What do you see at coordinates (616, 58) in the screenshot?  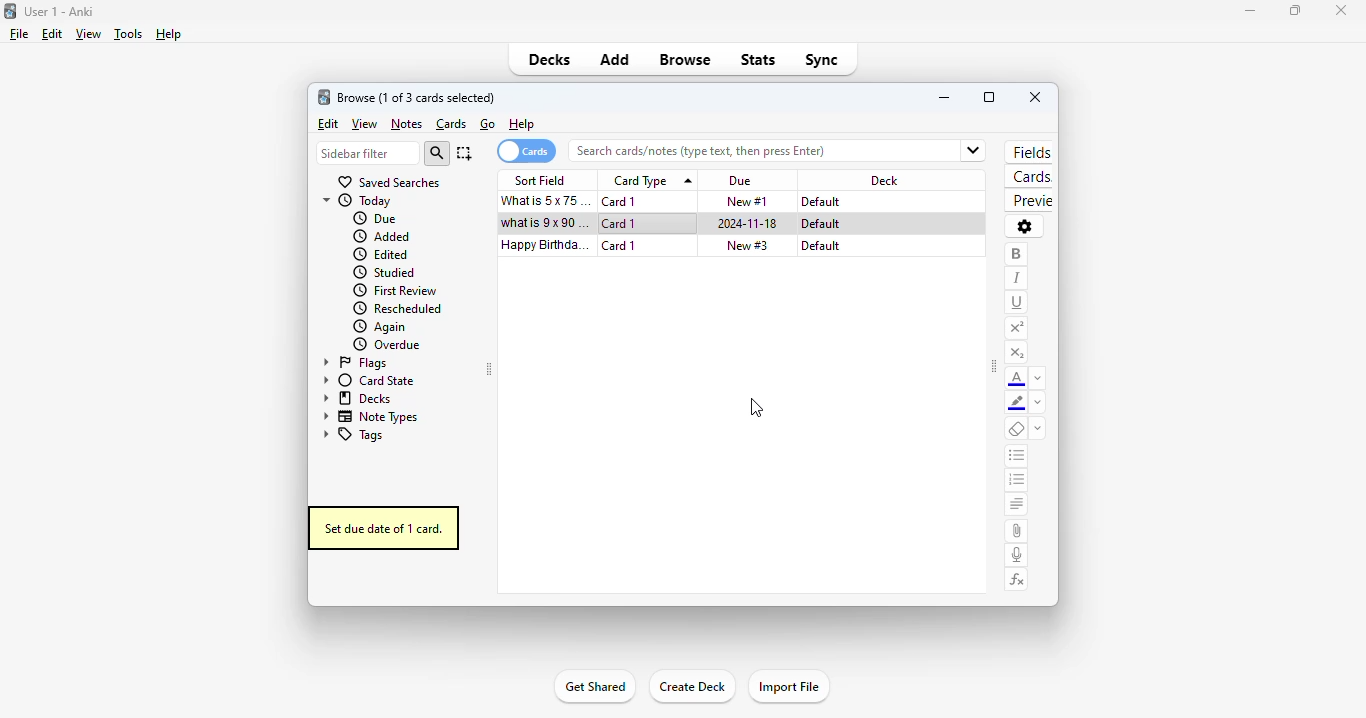 I see `add` at bounding box center [616, 58].